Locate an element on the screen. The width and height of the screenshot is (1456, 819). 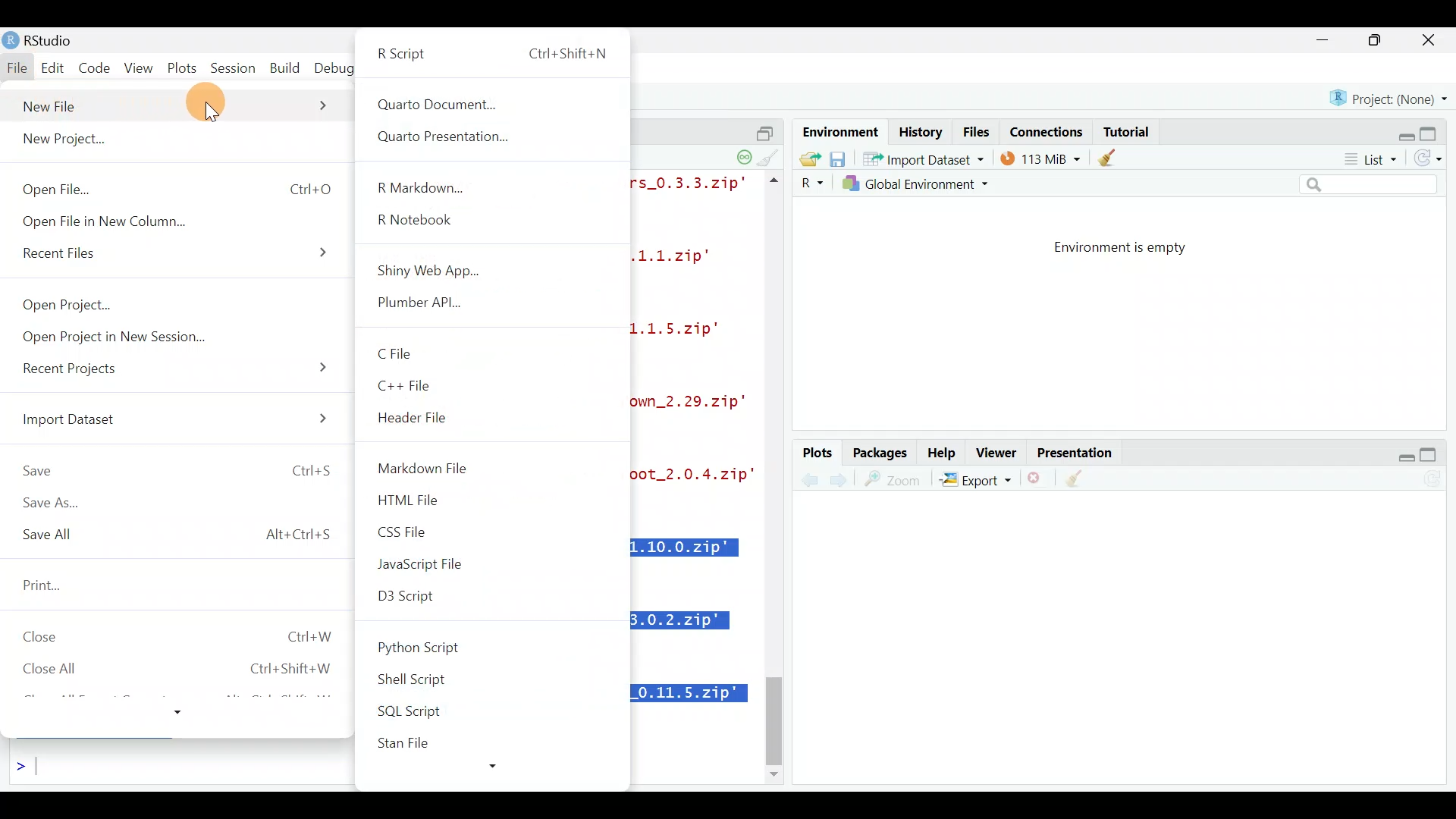
Shiny Web App... is located at coordinates (442, 268).